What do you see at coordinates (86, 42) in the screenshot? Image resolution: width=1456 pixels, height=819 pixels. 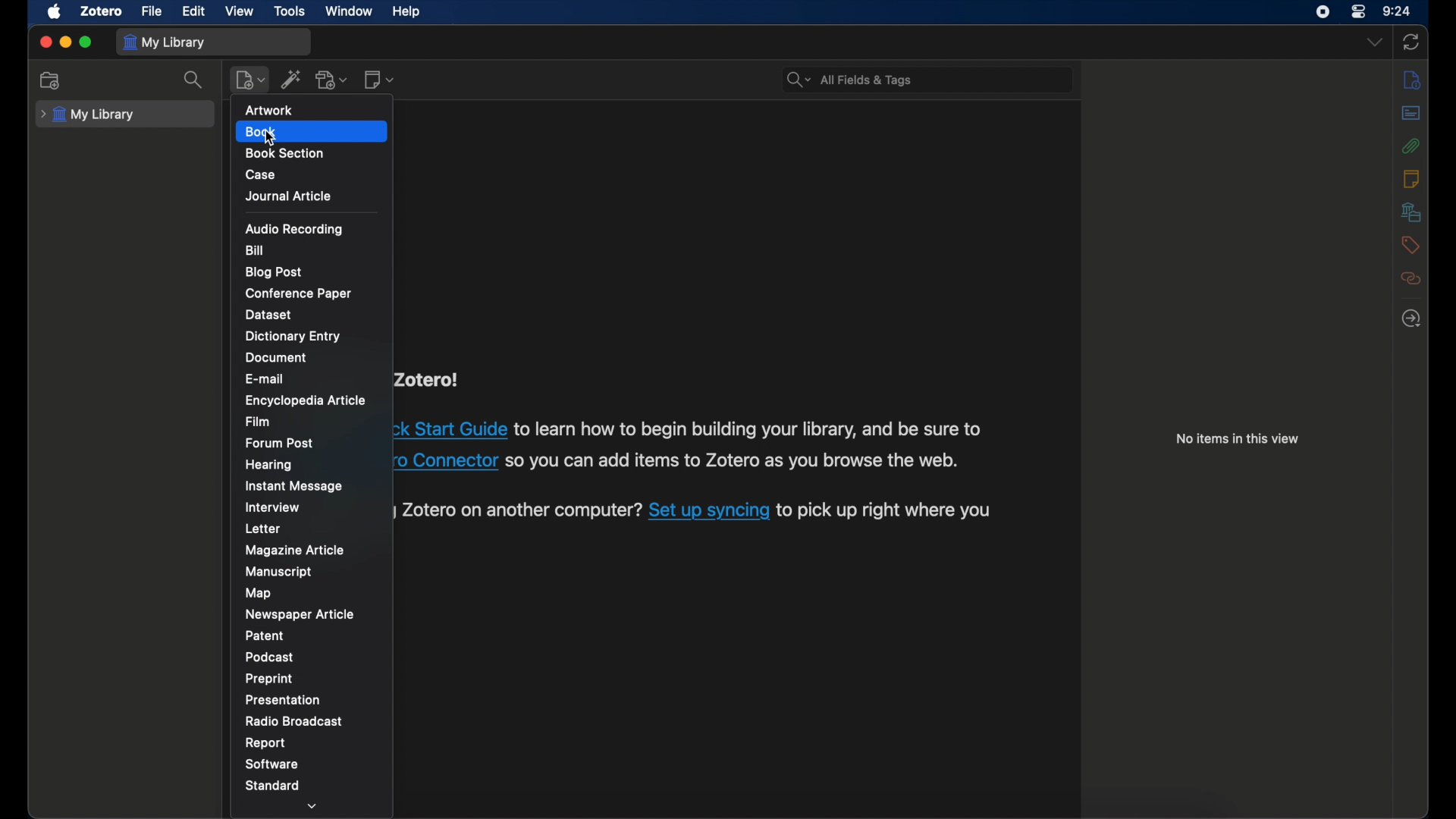 I see `maximize` at bounding box center [86, 42].